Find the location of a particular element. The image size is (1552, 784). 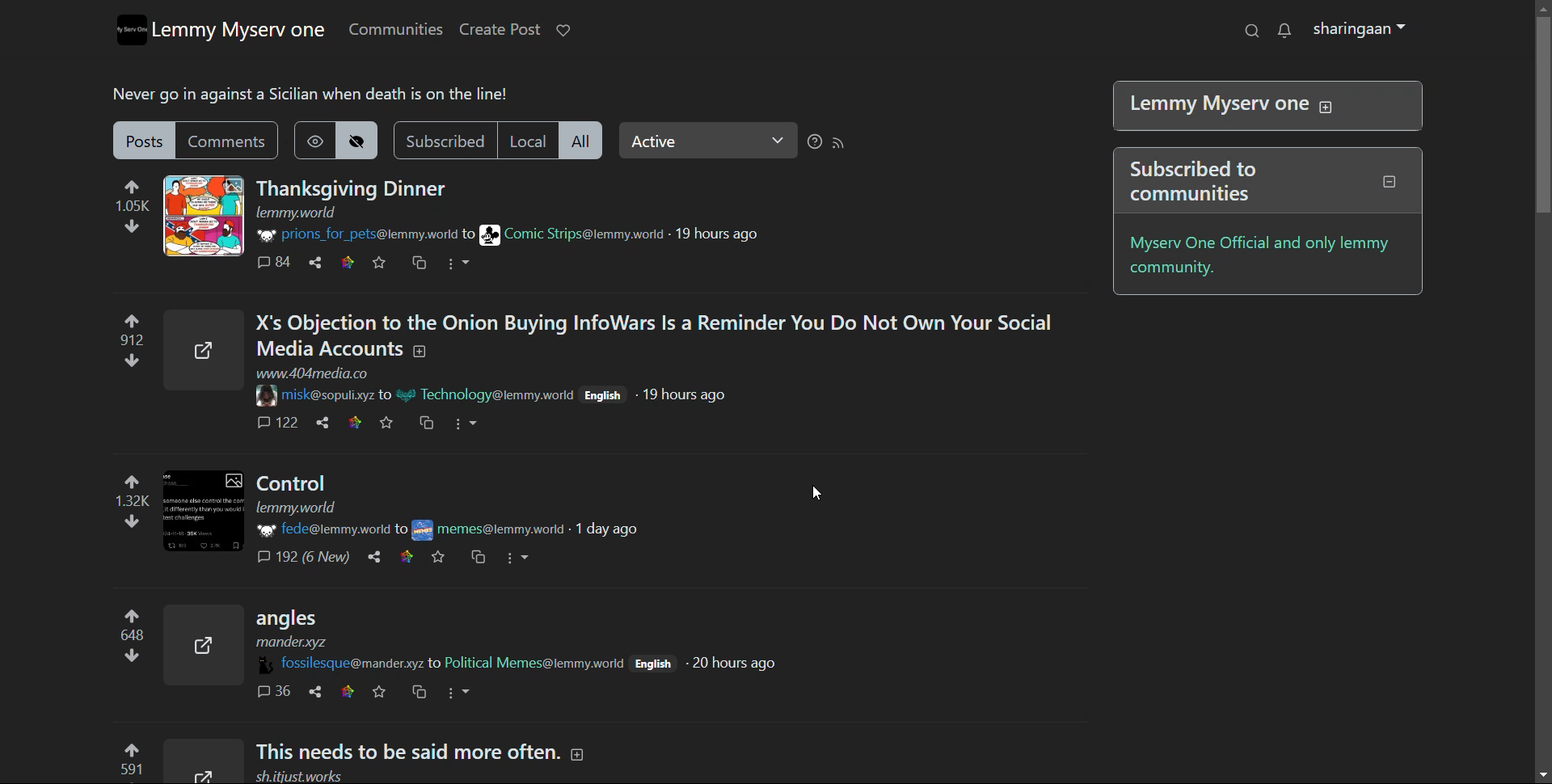

favorite is located at coordinates (379, 263).